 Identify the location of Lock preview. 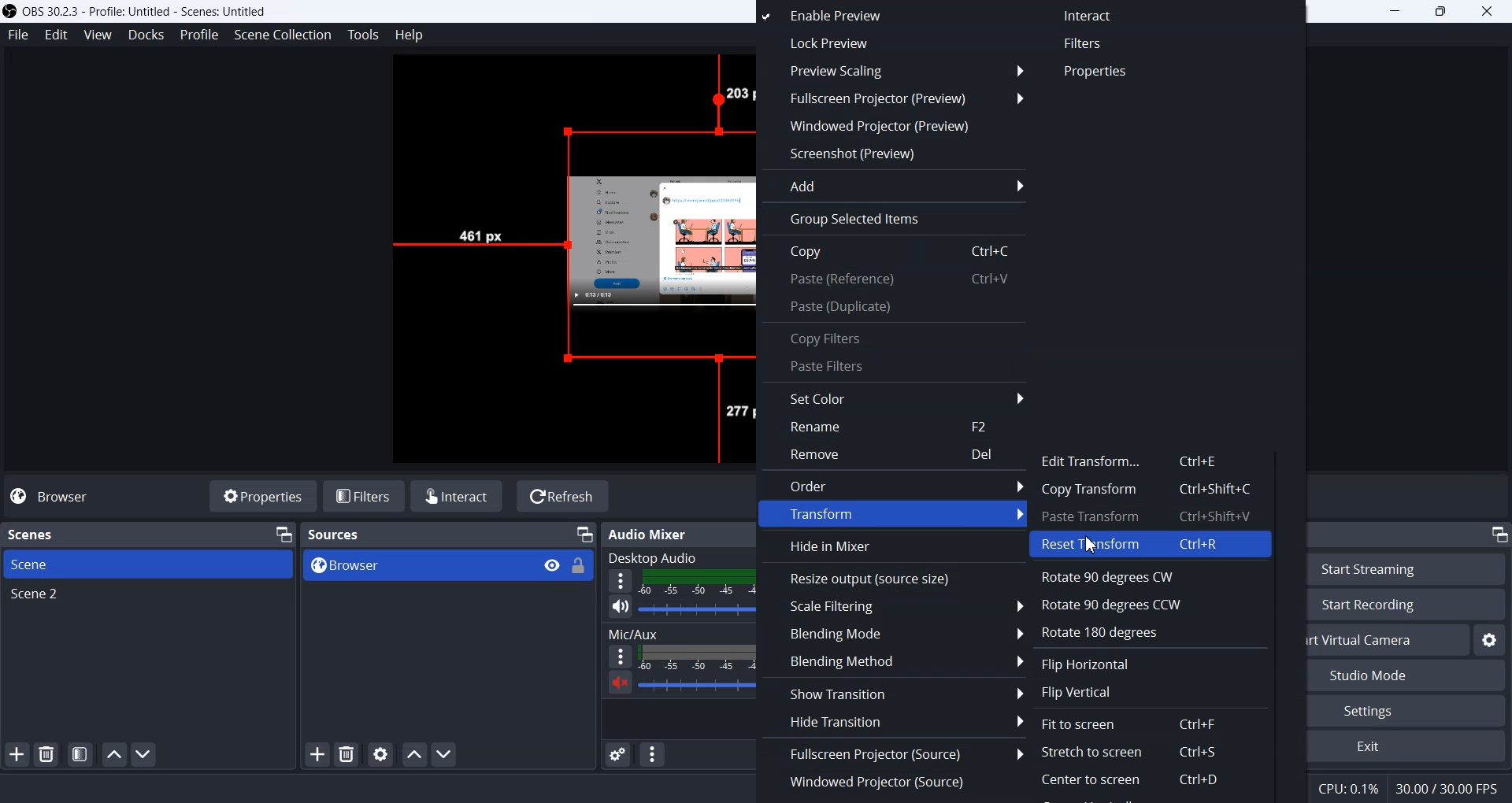
(877, 43).